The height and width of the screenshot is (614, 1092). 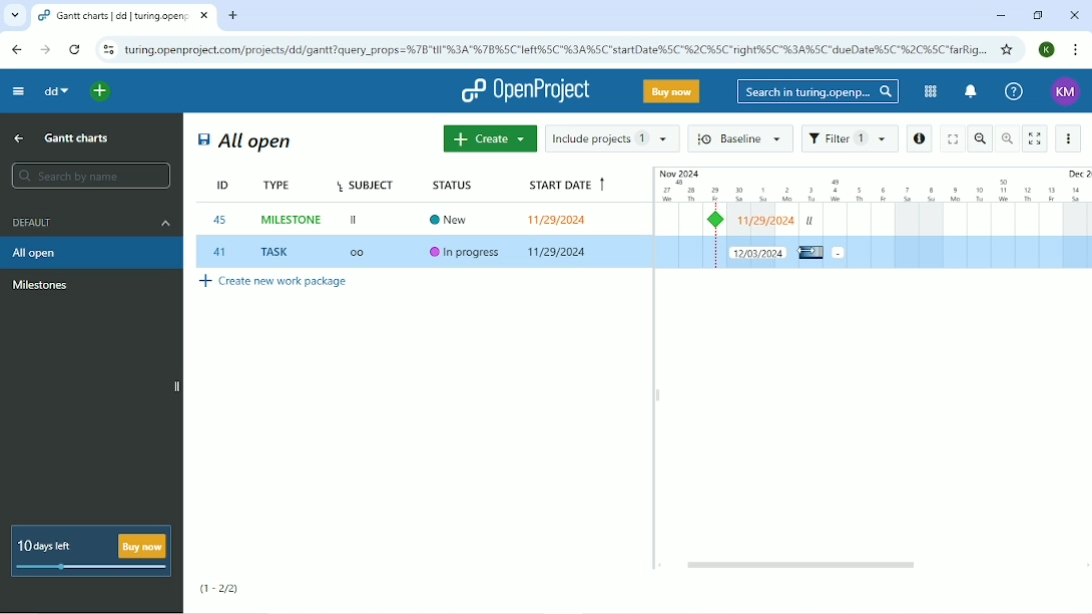 I want to click on Zoom in, so click(x=1007, y=138).